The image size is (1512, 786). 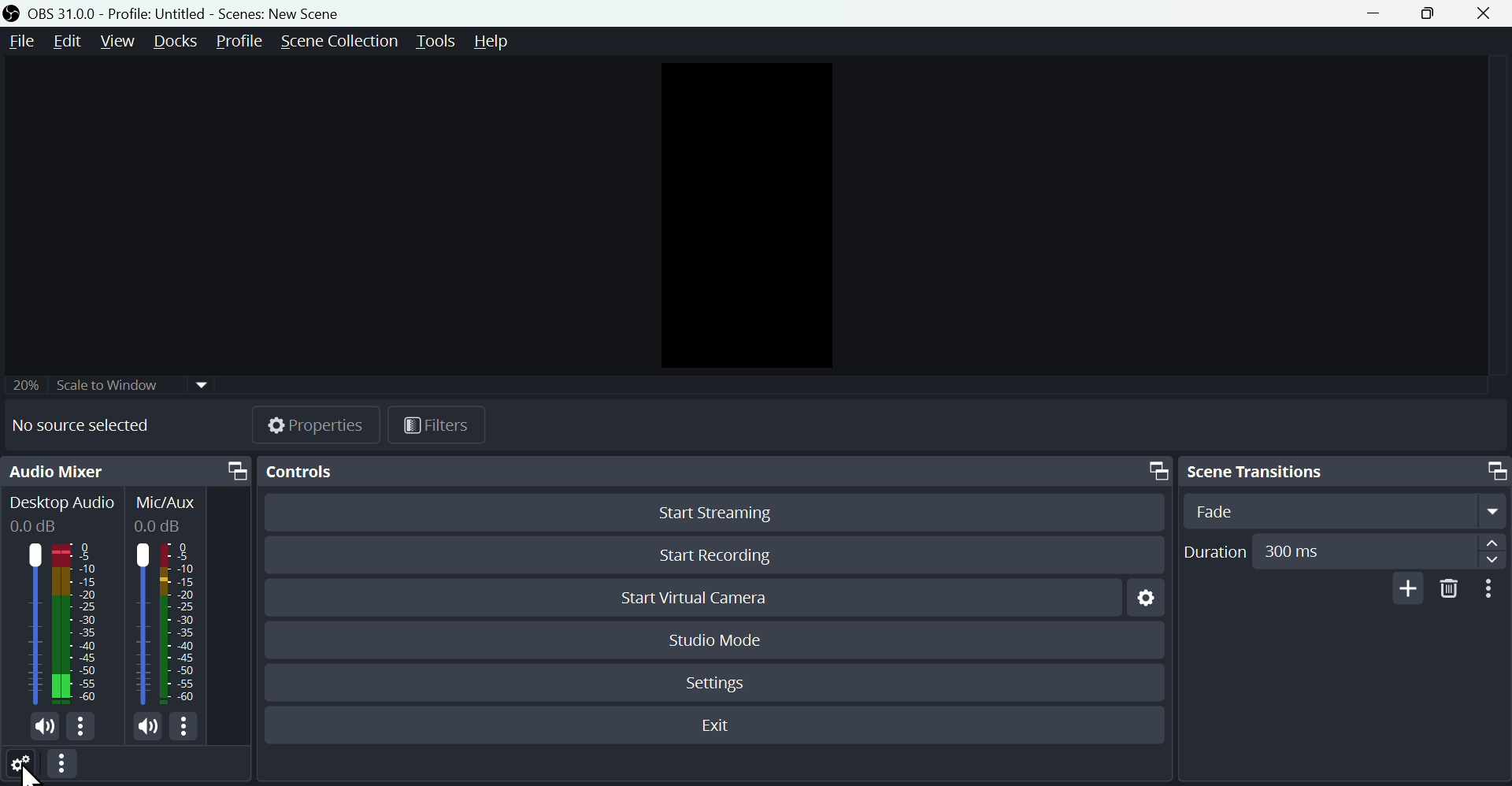 I want to click on , so click(x=439, y=425).